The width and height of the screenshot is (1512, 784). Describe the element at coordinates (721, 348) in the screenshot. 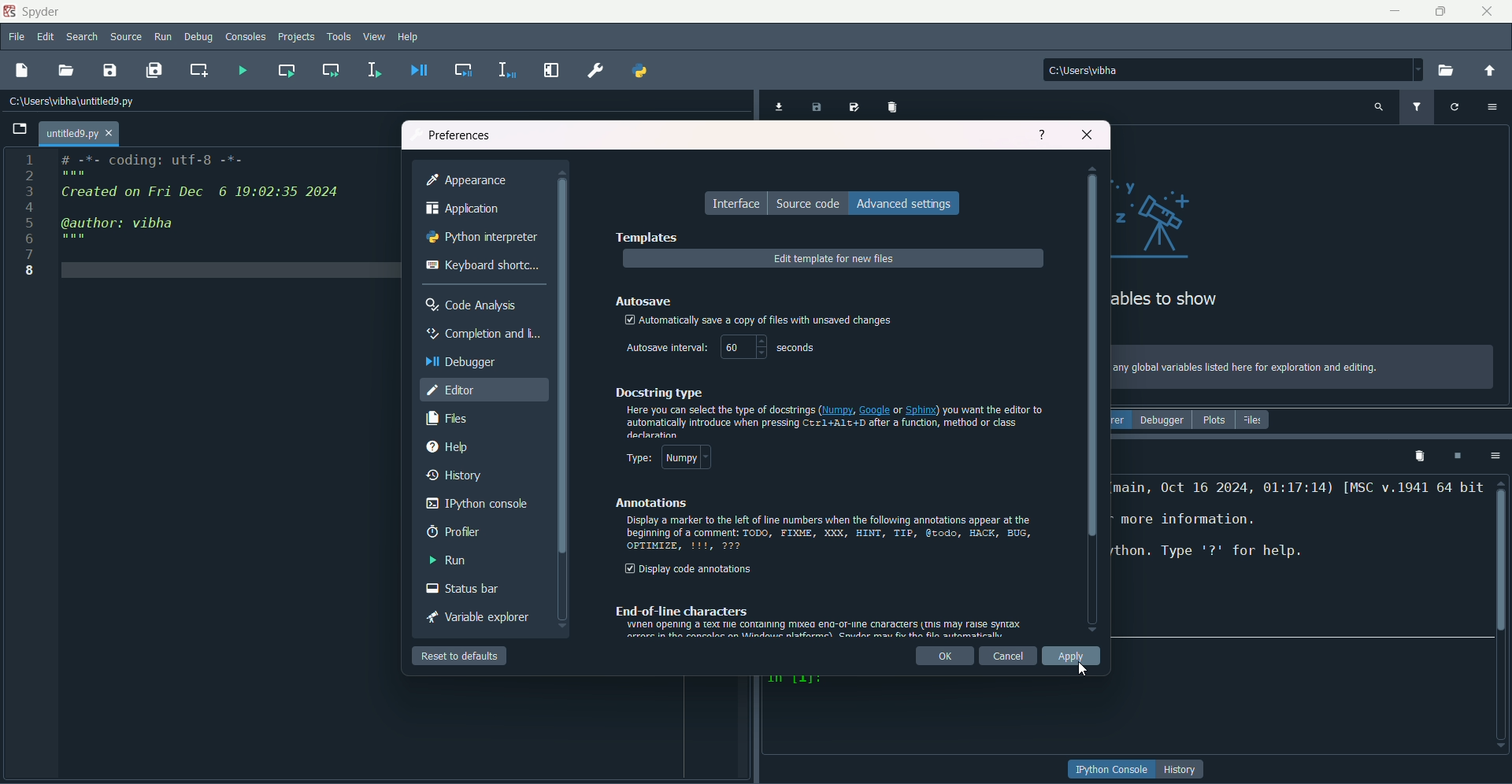

I see `autosave timer` at that location.